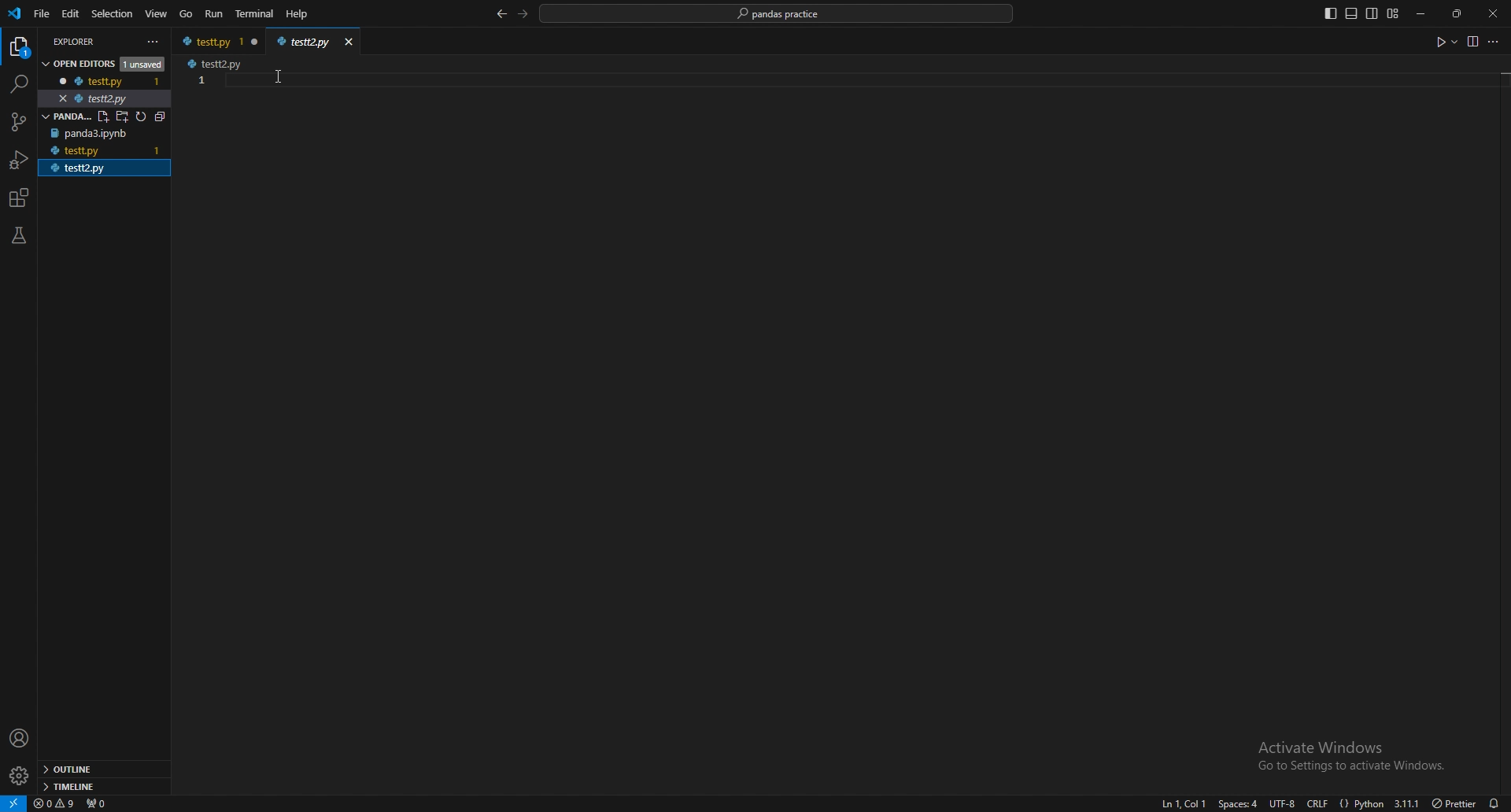 The width and height of the screenshot is (1511, 812). What do you see at coordinates (157, 14) in the screenshot?
I see `view` at bounding box center [157, 14].